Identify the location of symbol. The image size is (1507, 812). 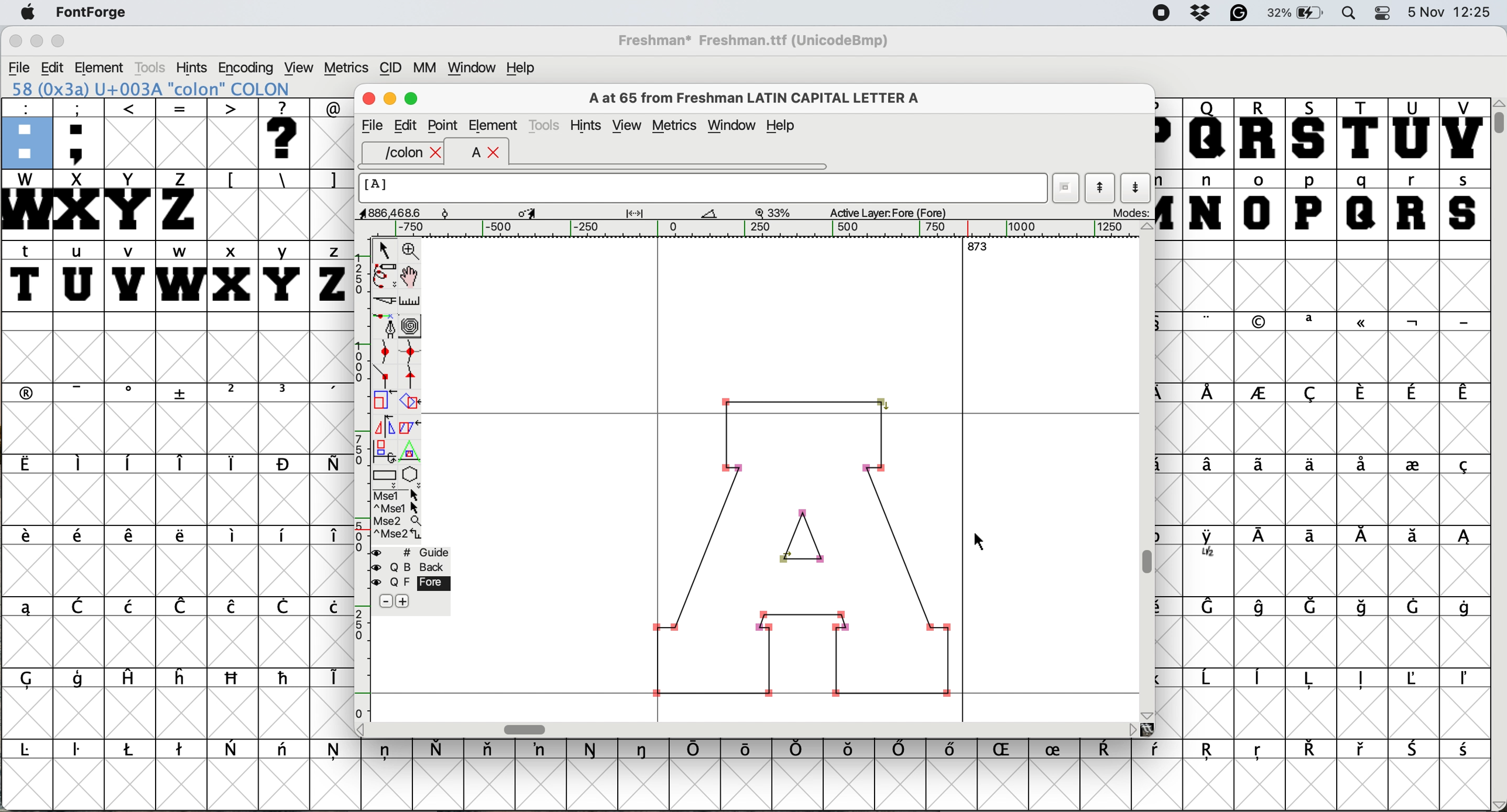
(80, 681).